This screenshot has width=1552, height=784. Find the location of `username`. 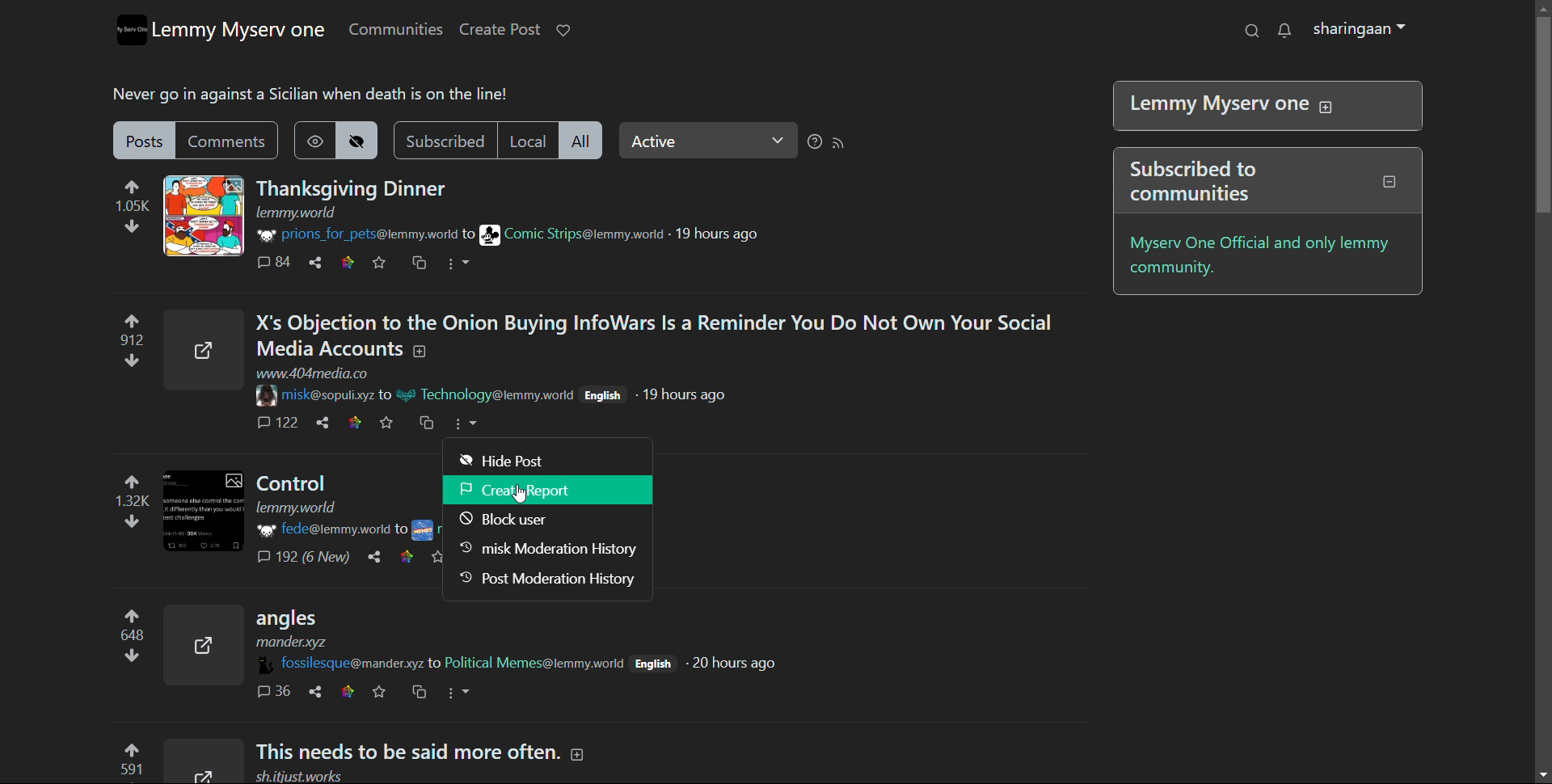

username is located at coordinates (315, 529).